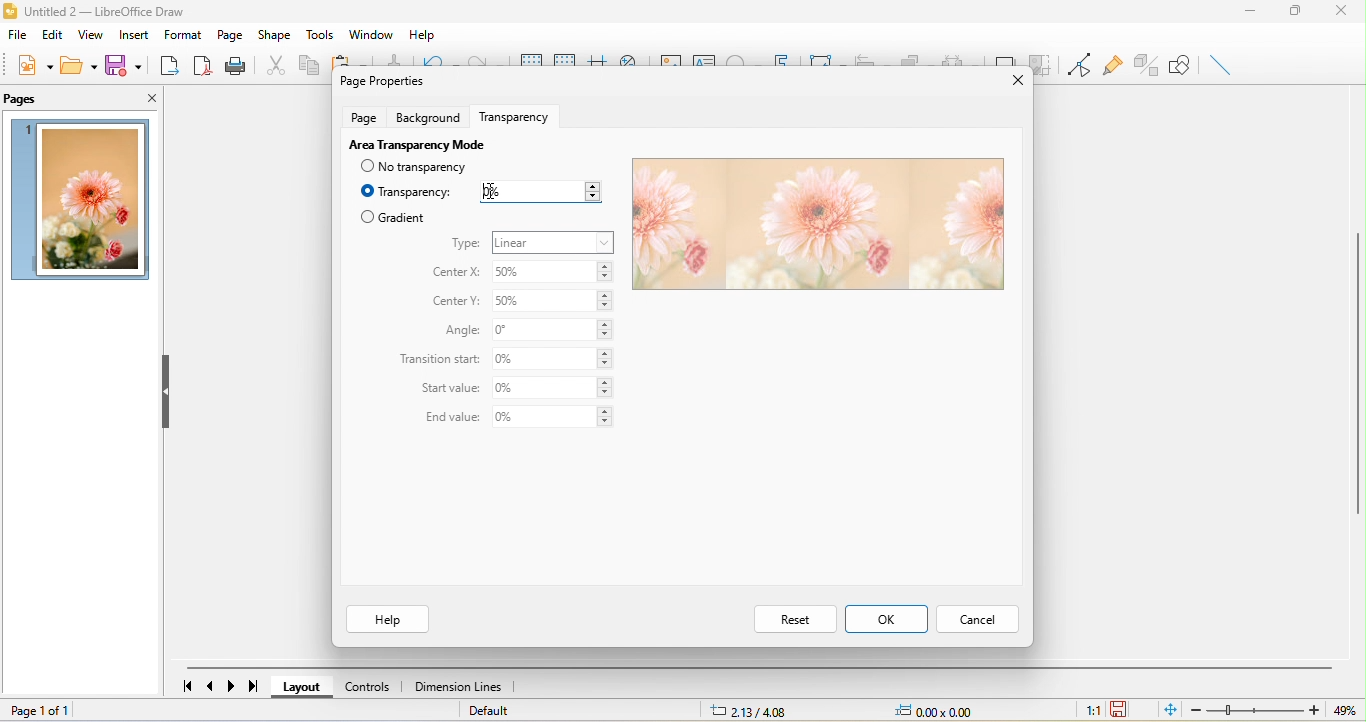  I want to click on insert, so click(138, 33).